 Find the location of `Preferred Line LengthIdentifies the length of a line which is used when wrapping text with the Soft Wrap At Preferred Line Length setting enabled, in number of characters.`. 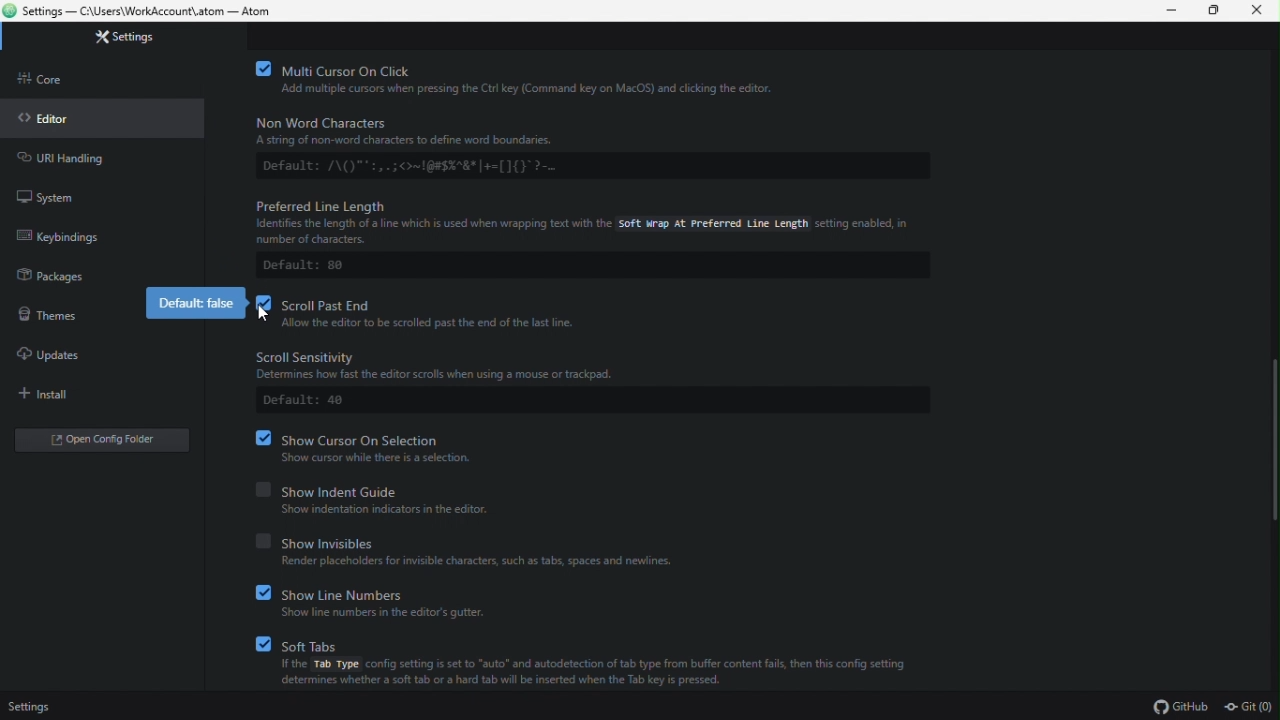

Preferred Line LengthIdentifies the length of a line which is used when wrapping text with the Soft Wrap At Preferred Line Length setting enabled, in number of characters. is located at coordinates (581, 219).